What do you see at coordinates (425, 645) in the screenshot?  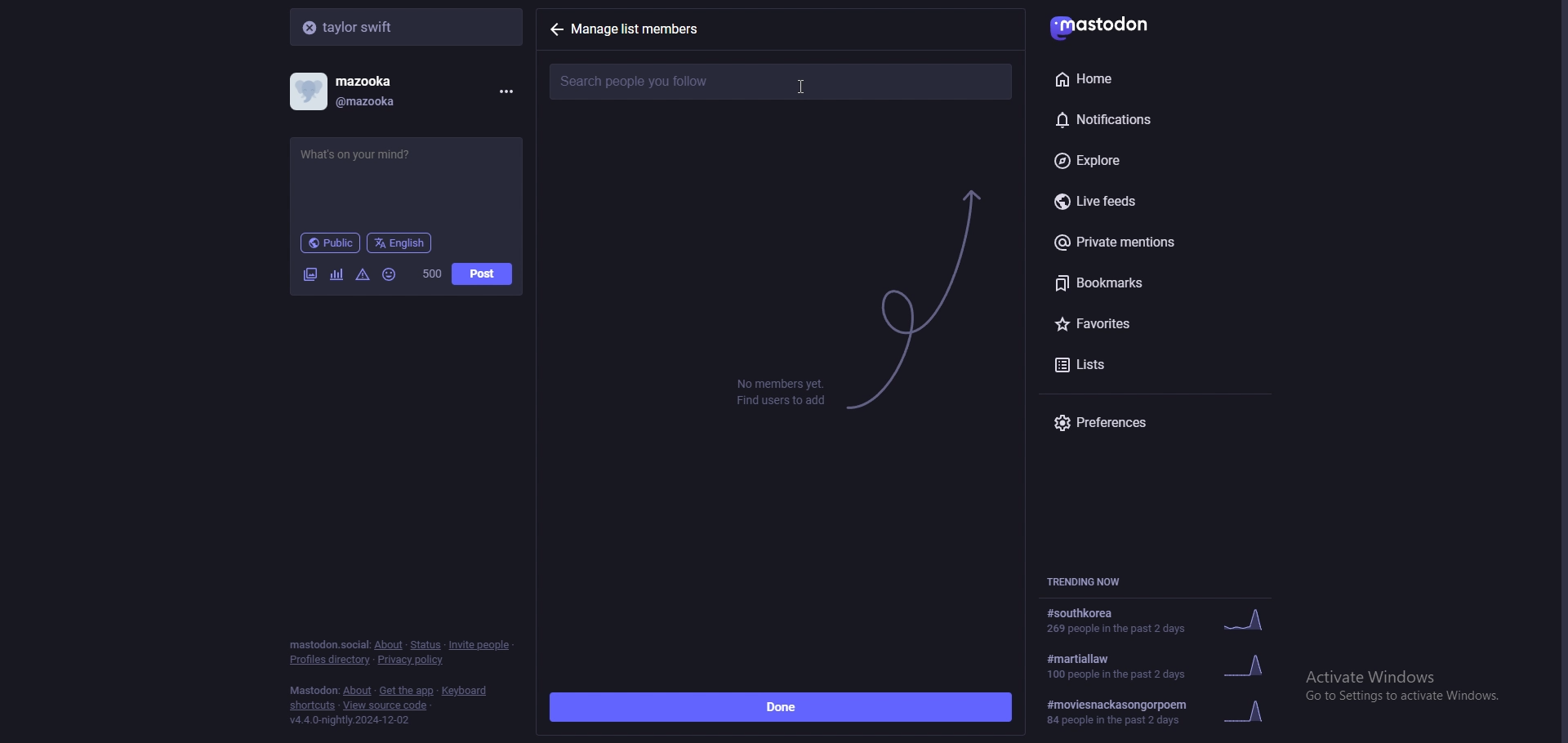 I see `status` at bounding box center [425, 645].